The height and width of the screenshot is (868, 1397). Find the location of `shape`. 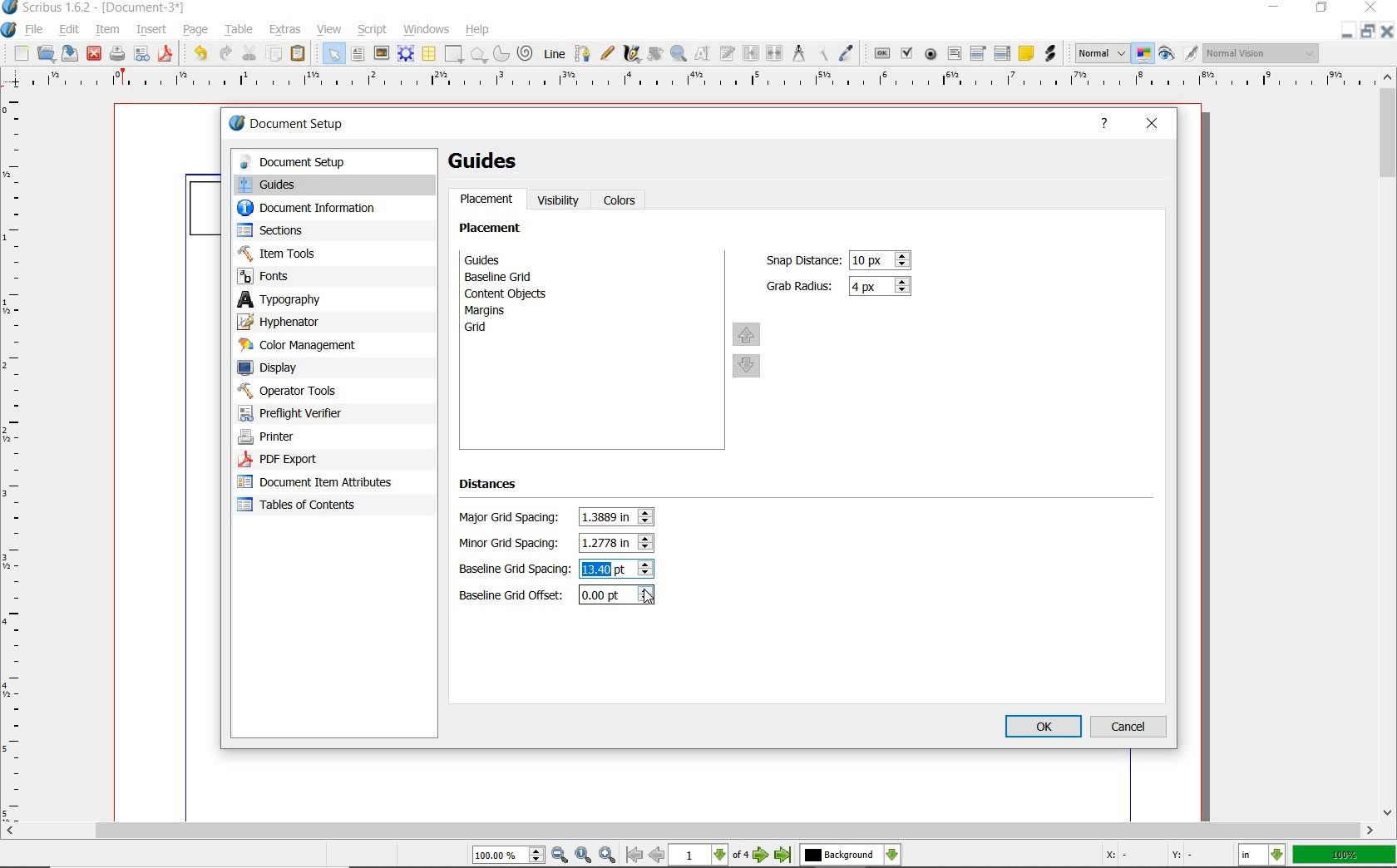

shape is located at coordinates (455, 55).